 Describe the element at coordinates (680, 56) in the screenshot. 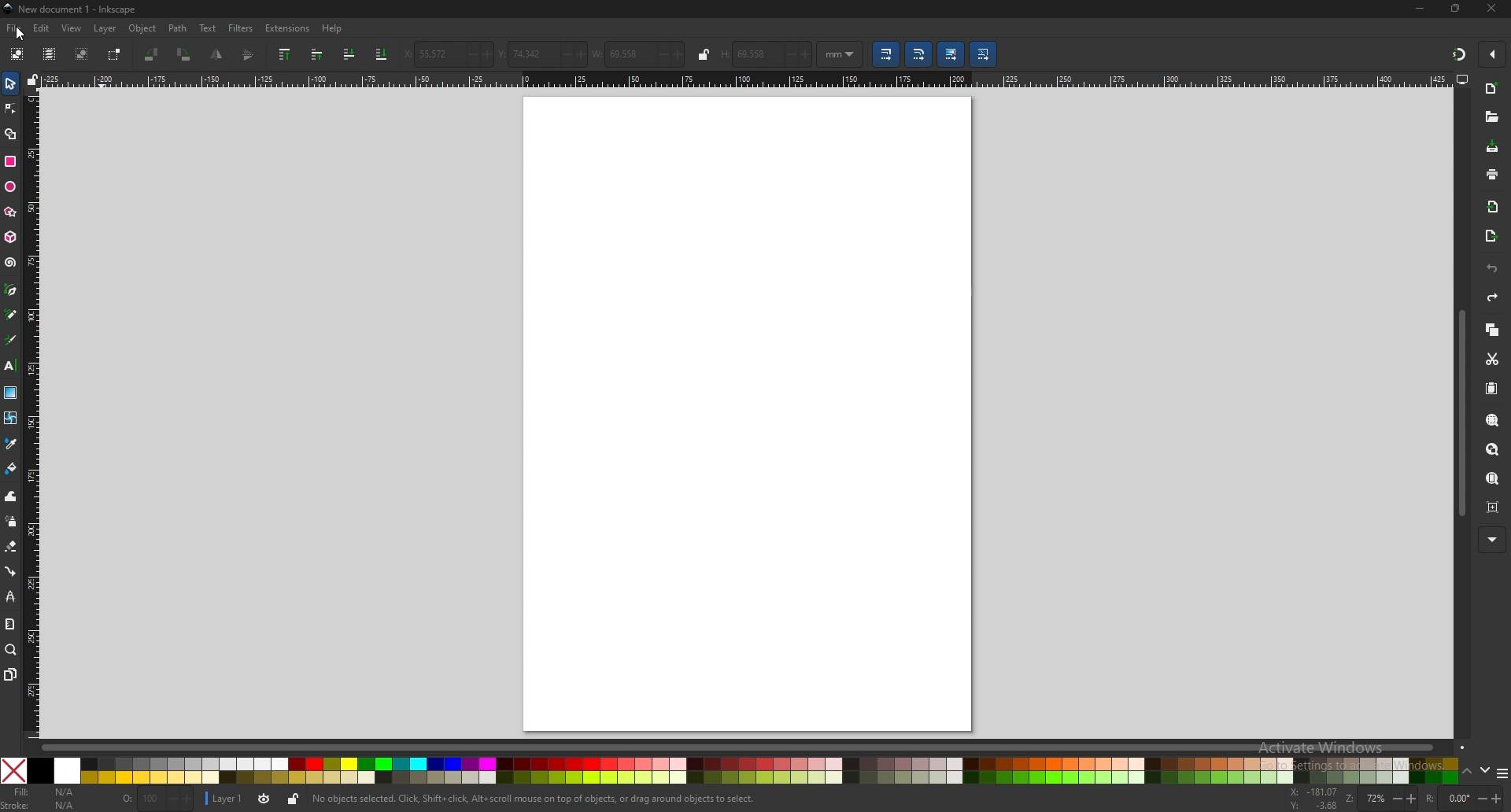

I see `+` at that location.